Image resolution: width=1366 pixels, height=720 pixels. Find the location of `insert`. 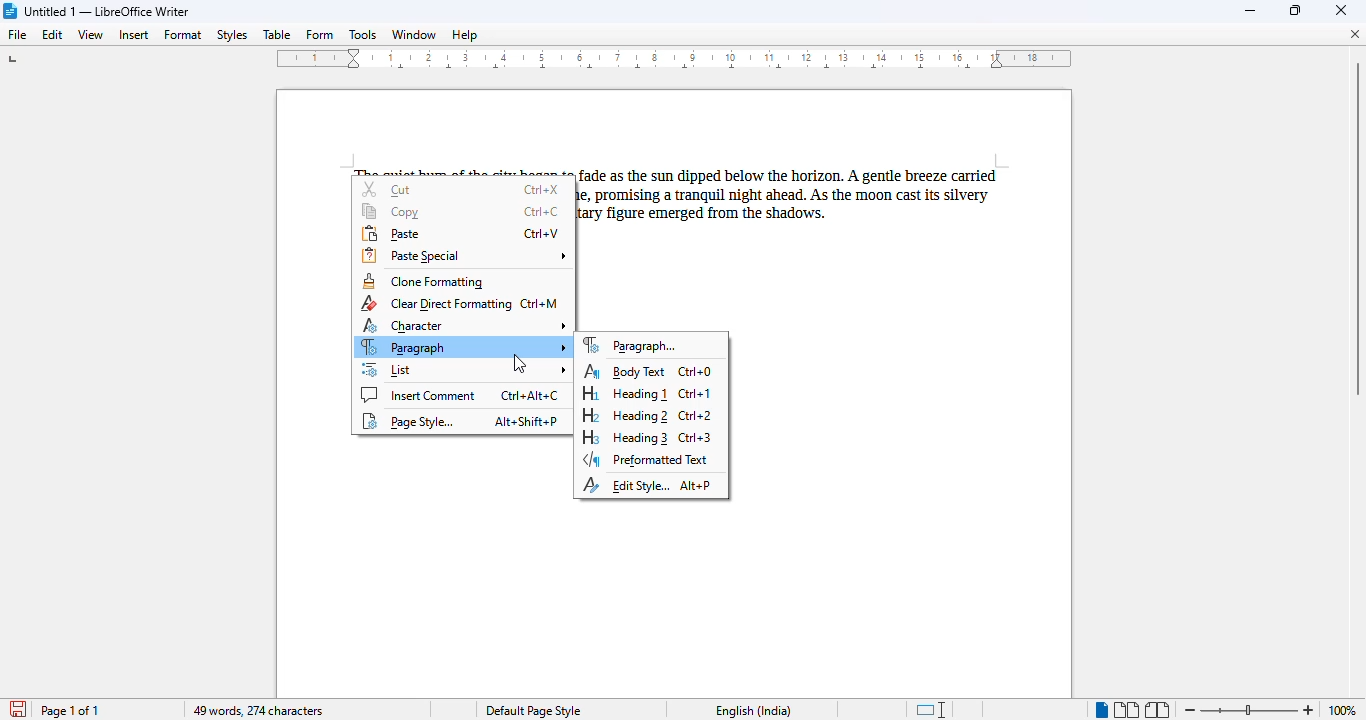

insert is located at coordinates (134, 35).